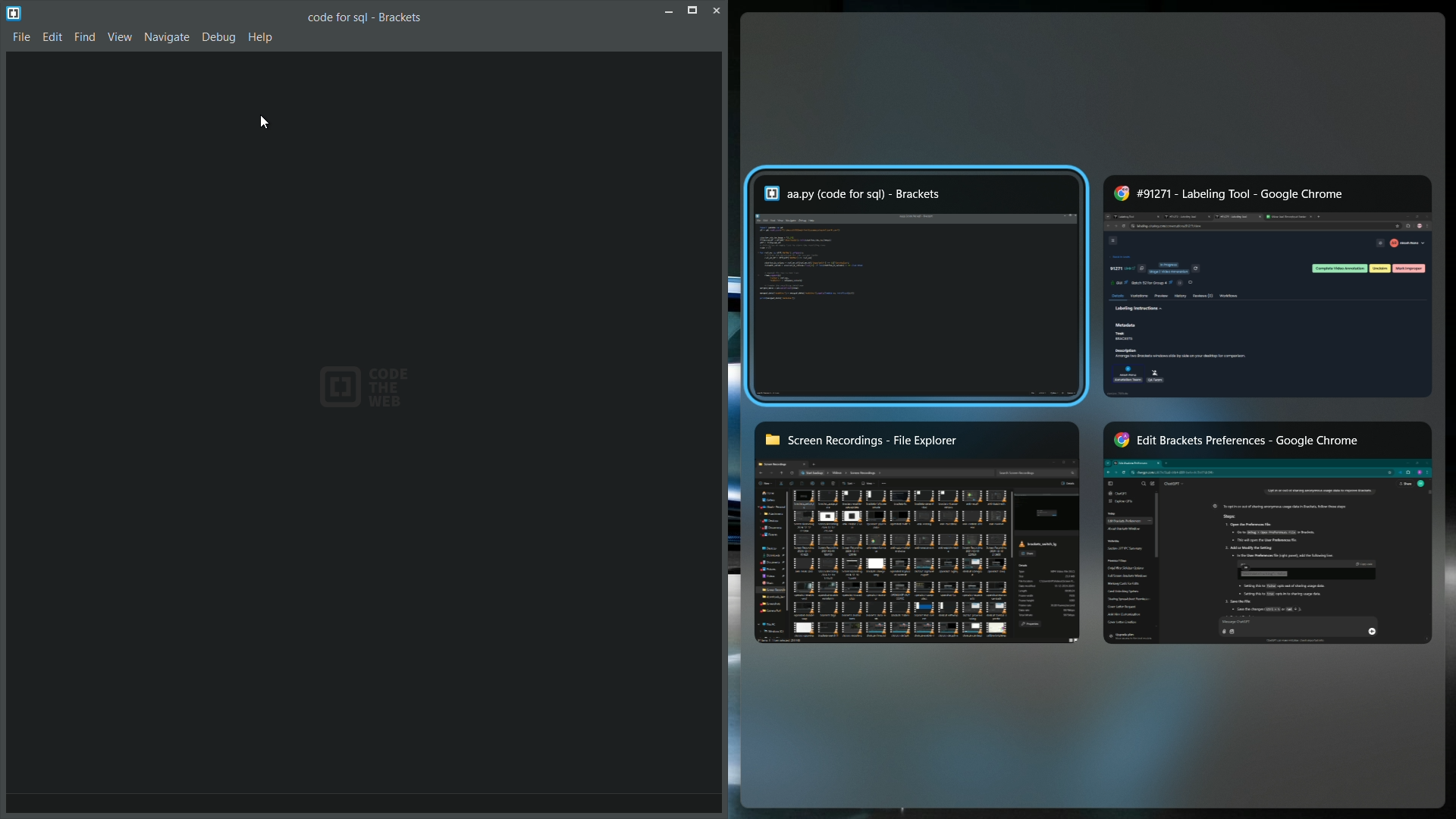 The height and width of the screenshot is (819, 1456). I want to click on Navigate, so click(168, 37).